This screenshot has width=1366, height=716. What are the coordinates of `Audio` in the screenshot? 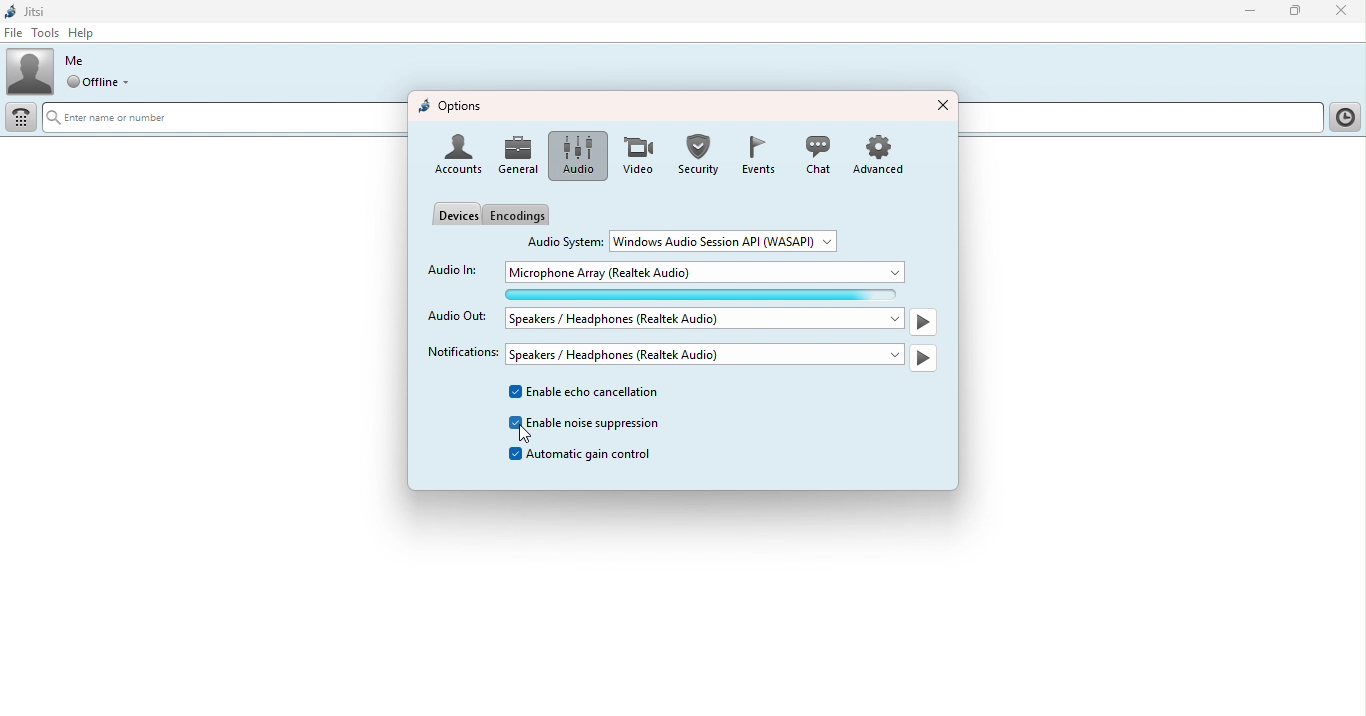 It's located at (574, 156).